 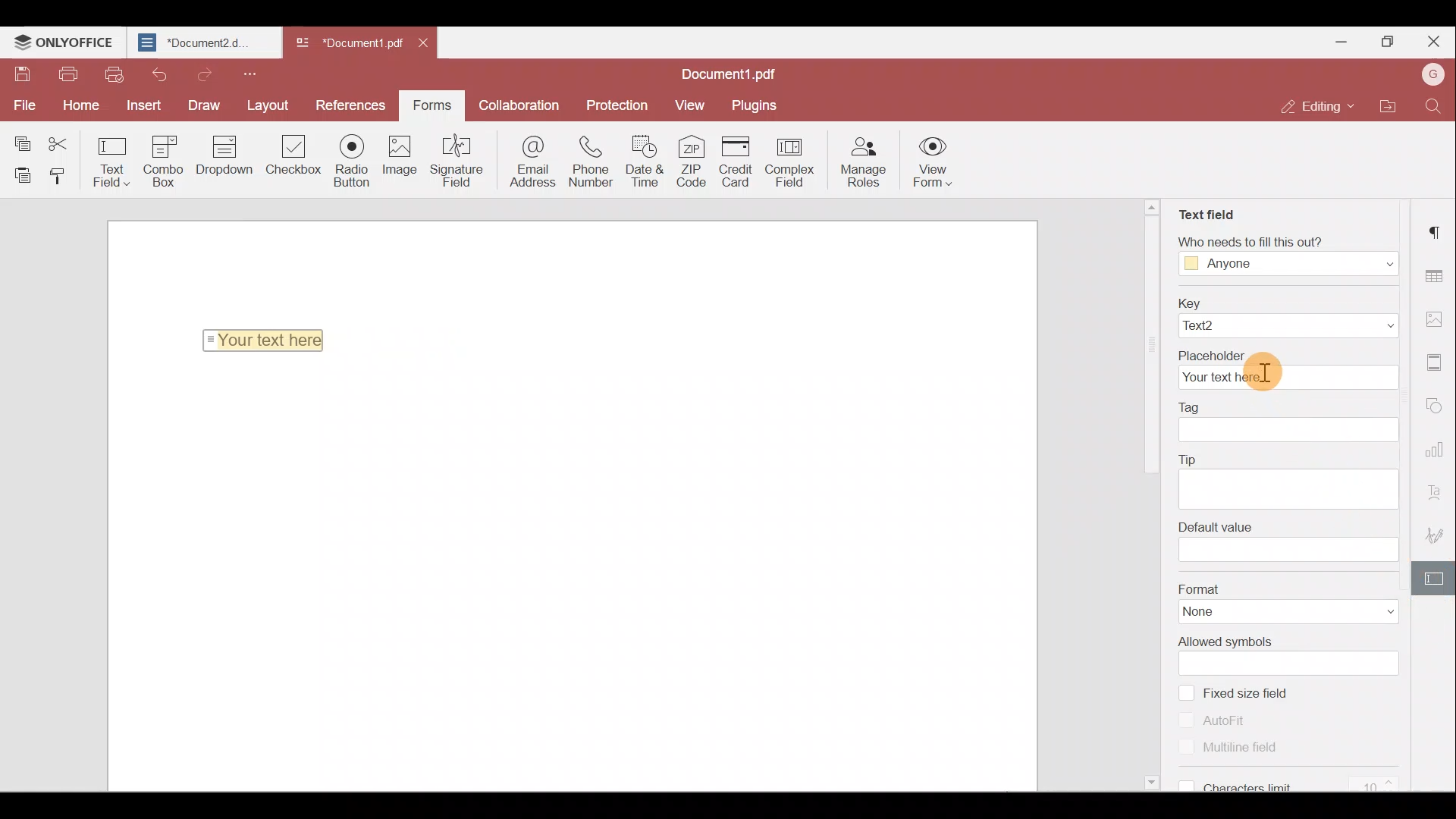 What do you see at coordinates (423, 45) in the screenshot?
I see `Close document` at bounding box center [423, 45].